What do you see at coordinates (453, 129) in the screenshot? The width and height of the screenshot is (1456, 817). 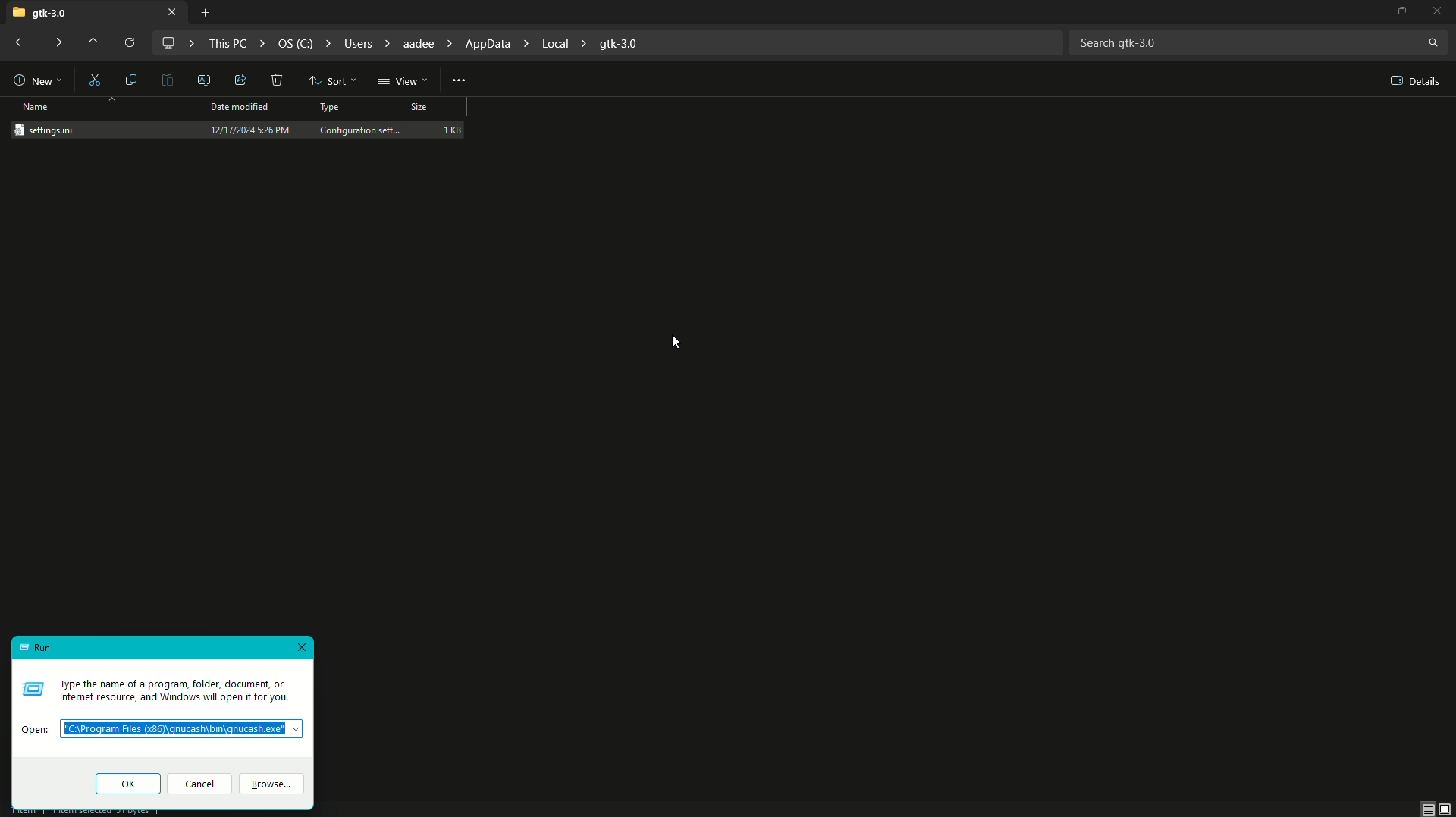 I see `1 KB` at bounding box center [453, 129].